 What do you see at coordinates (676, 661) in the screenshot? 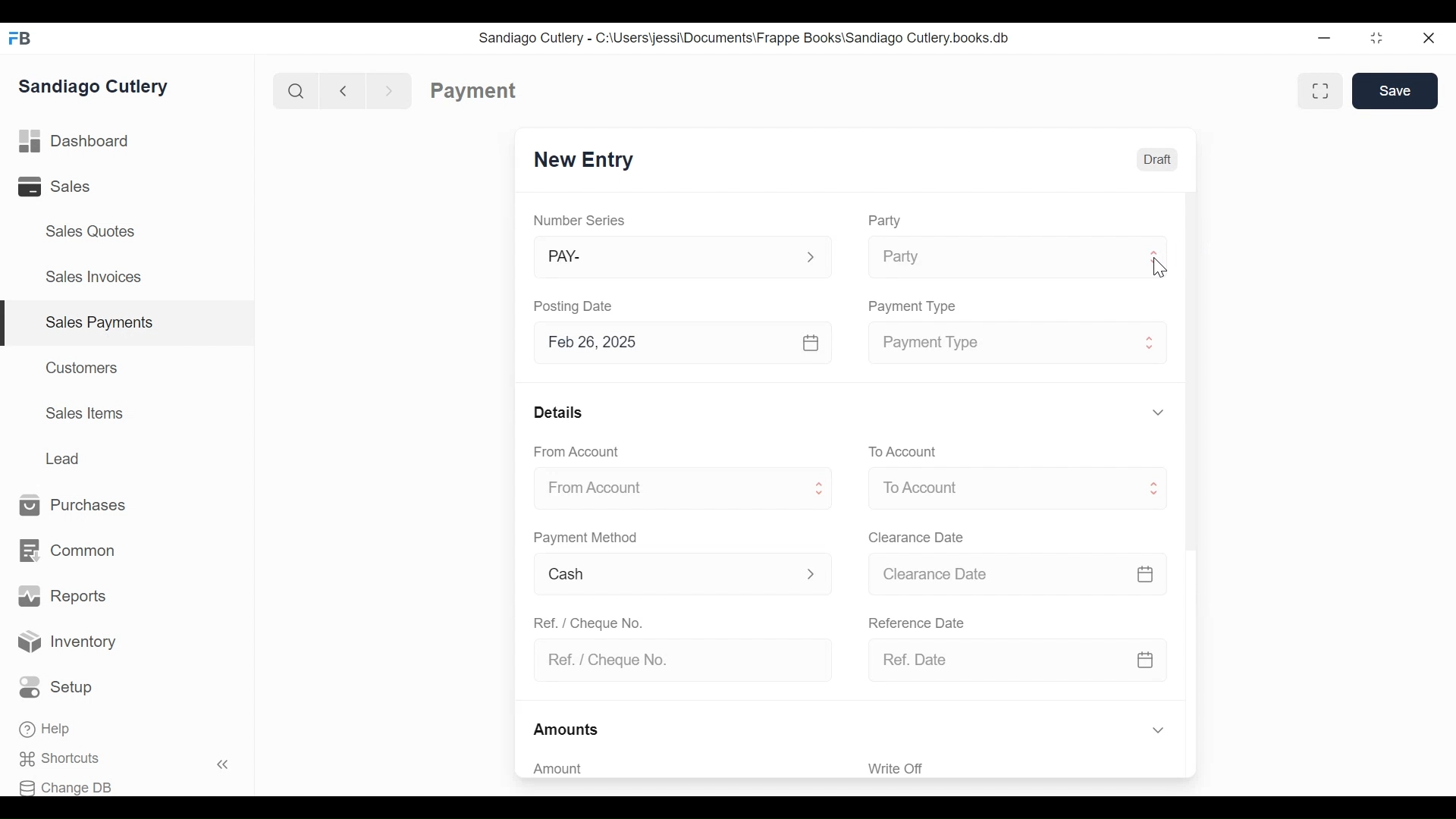
I see `Ref. / Cheque No.` at bounding box center [676, 661].